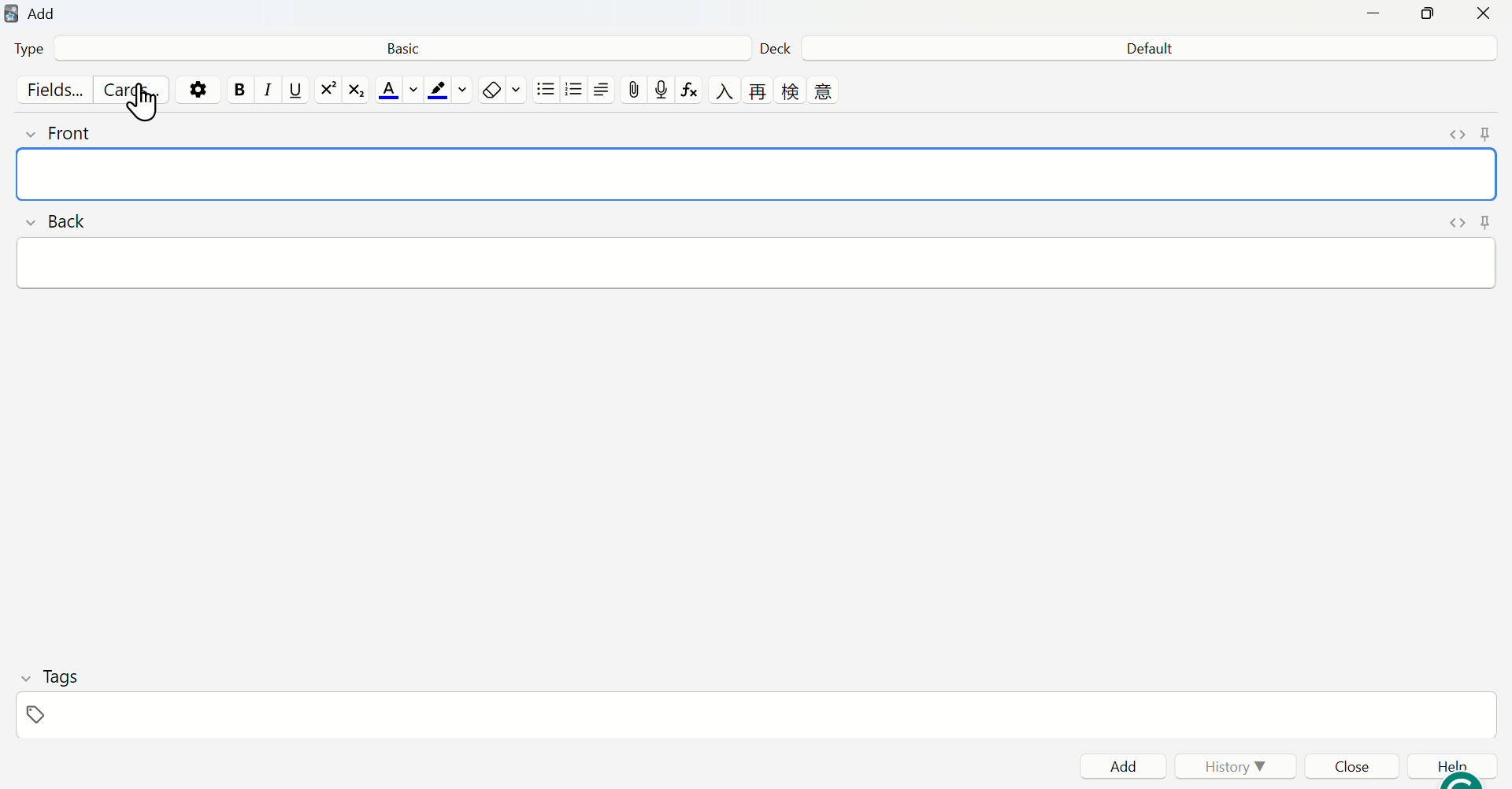  Describe the element at coordinates (1485, 220) in the screenshot. I see `Toggle sticky` at that location.